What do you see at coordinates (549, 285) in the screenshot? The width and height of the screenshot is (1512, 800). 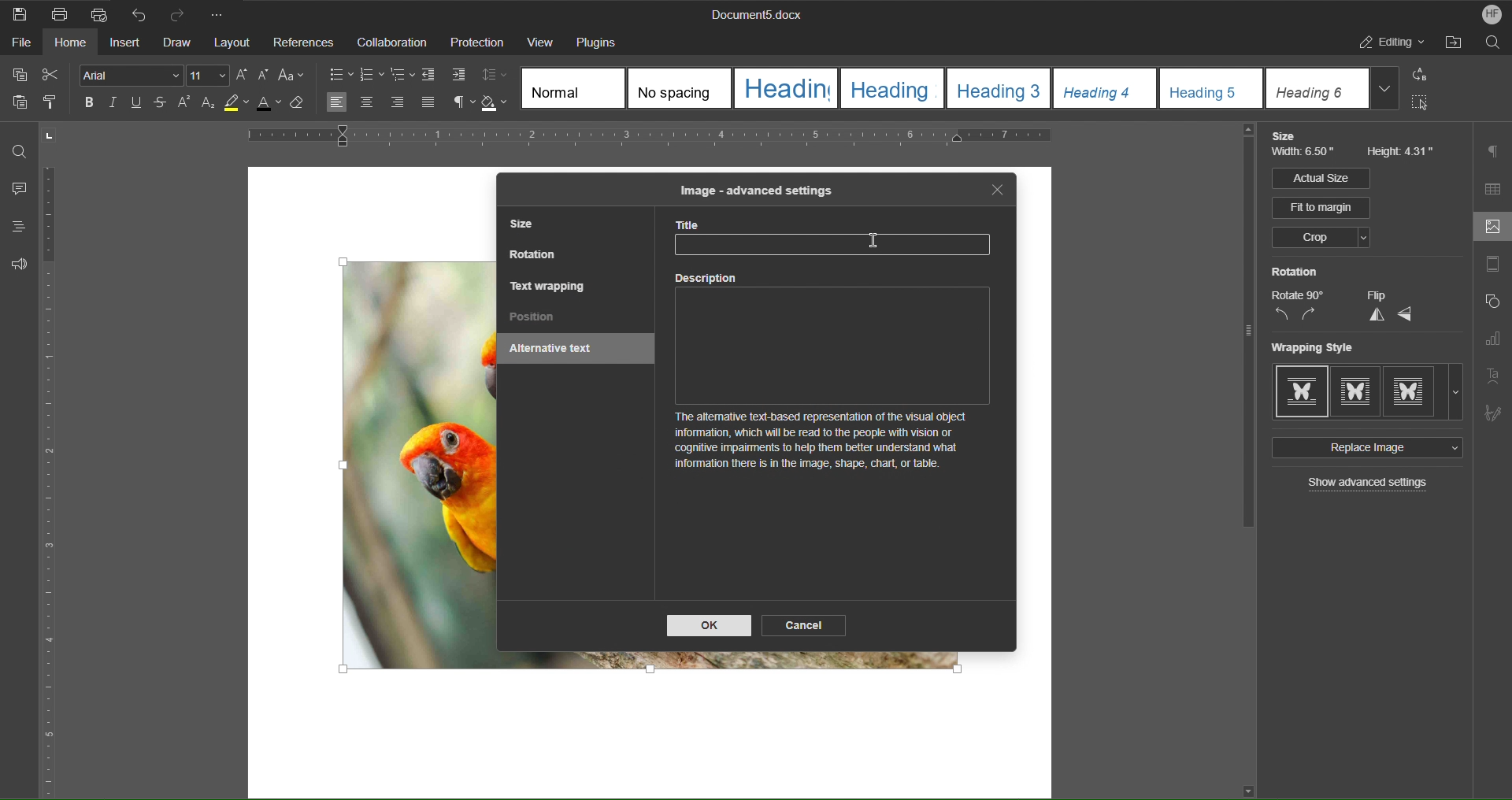 I see `Text wrappings` at bounding box center [549, 285].